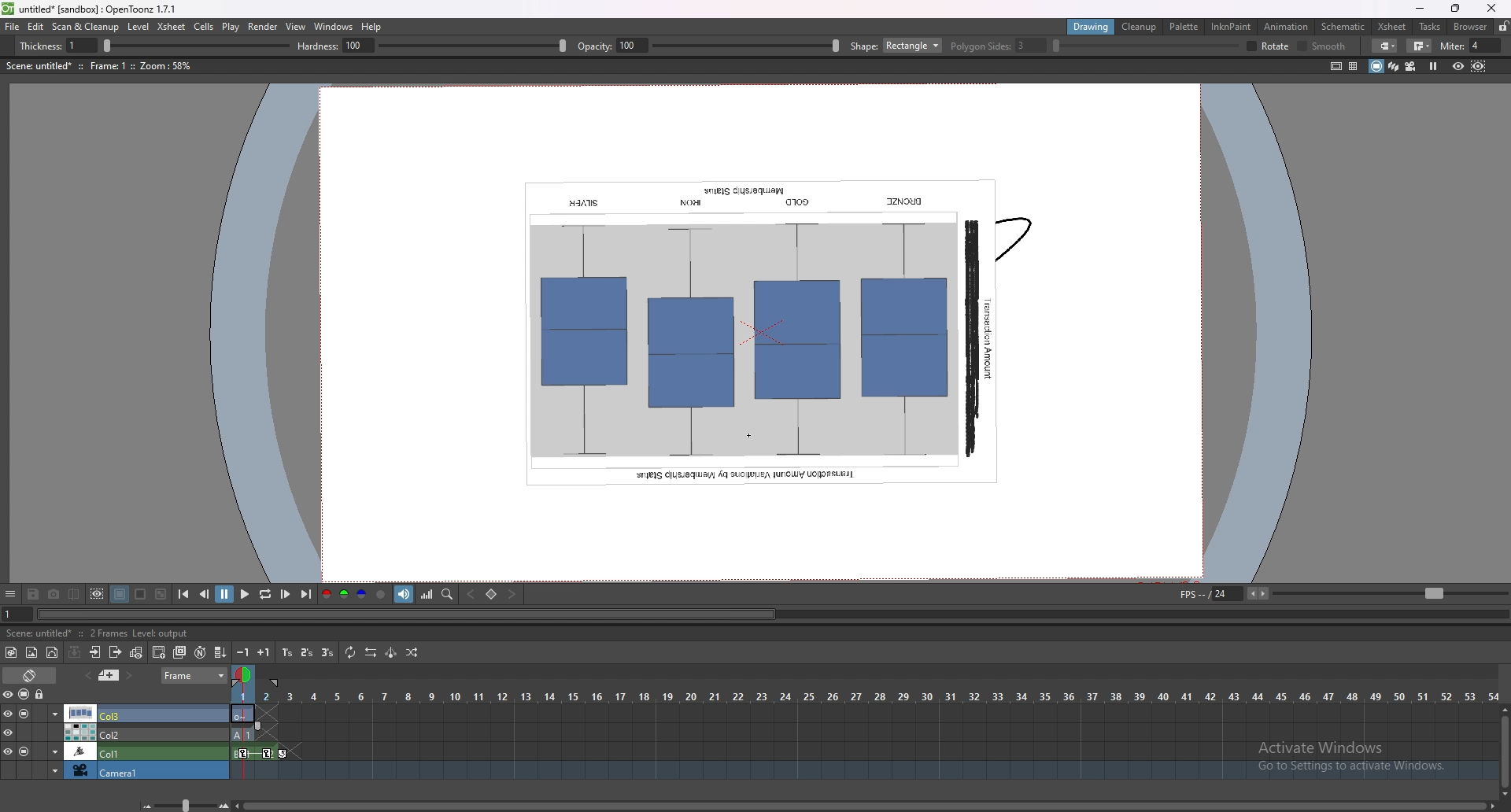 The height and width of the screenshot is (812, 1511). Describe the element at coordinates (325, 596) in the screenshot. I see `red channel` at that location.